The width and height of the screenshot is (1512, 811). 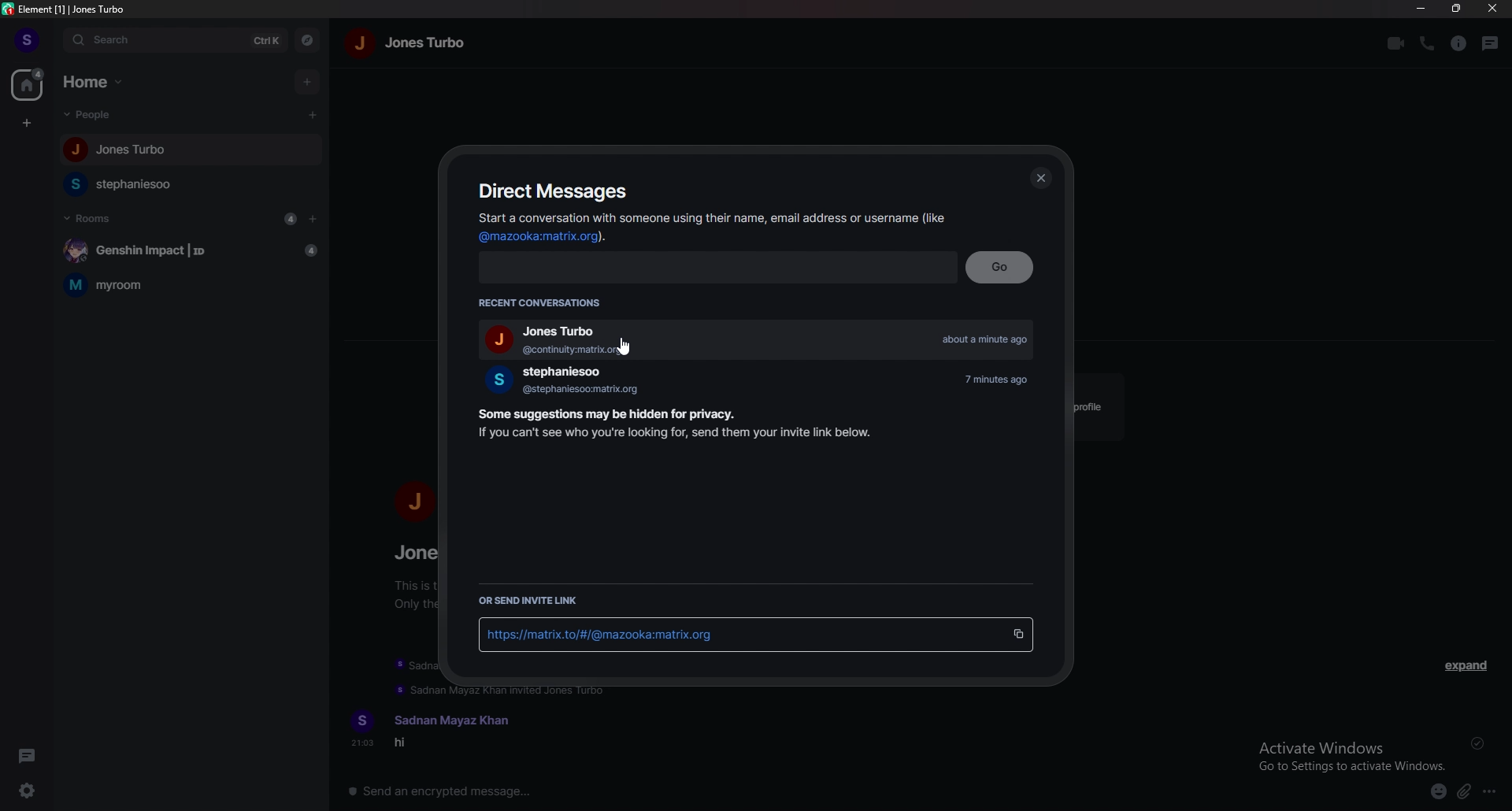 What do you see at coordinates (1455, 8) in the screenshot?
I see `resize` at bounding box center [1455, 8].